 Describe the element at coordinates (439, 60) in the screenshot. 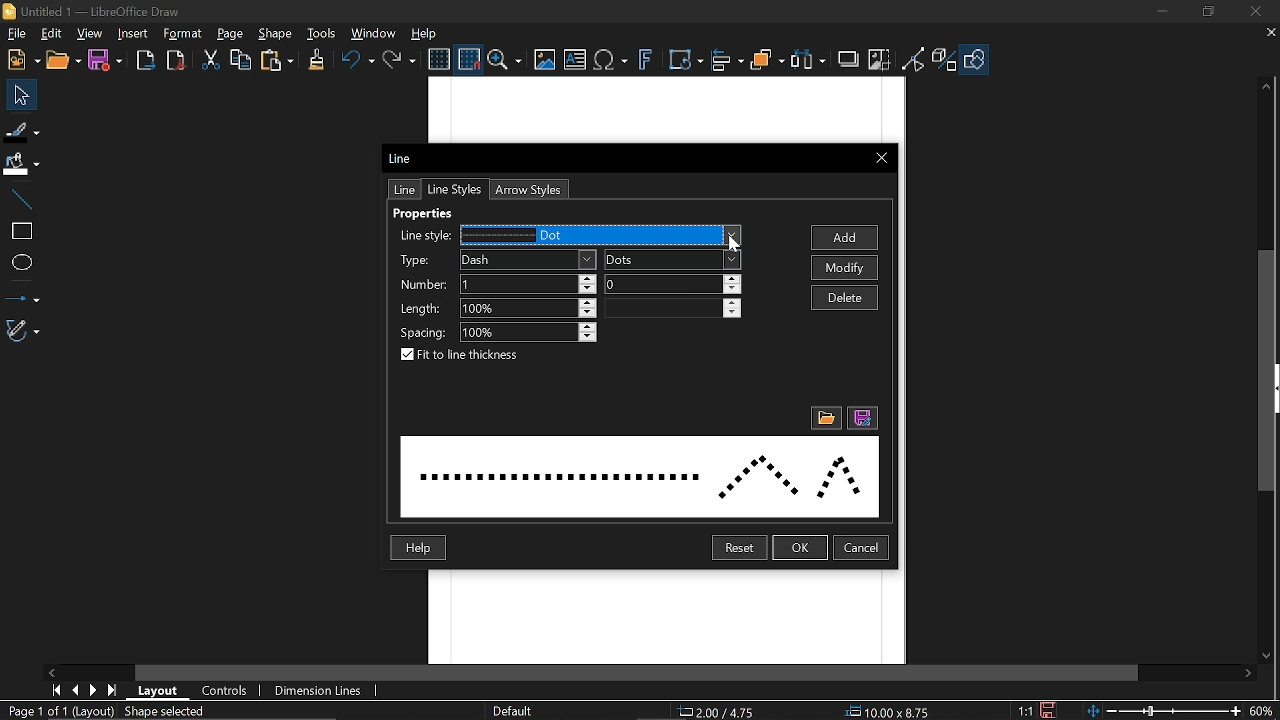

I see `Display grid` at that location.